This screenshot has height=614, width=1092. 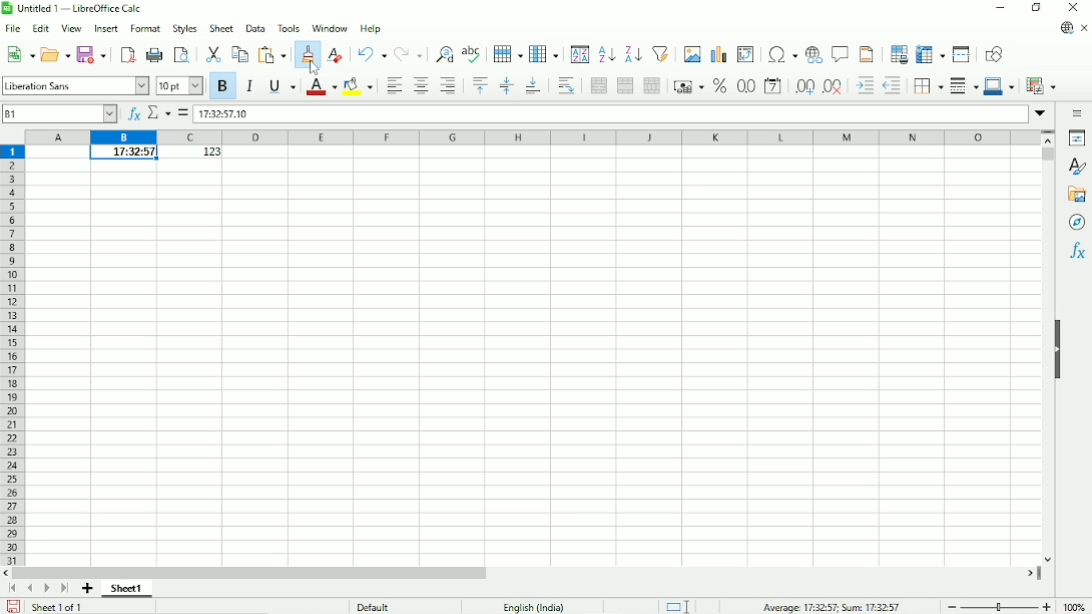 I want to click on Zoom out/in, so click(x=998, y=605).